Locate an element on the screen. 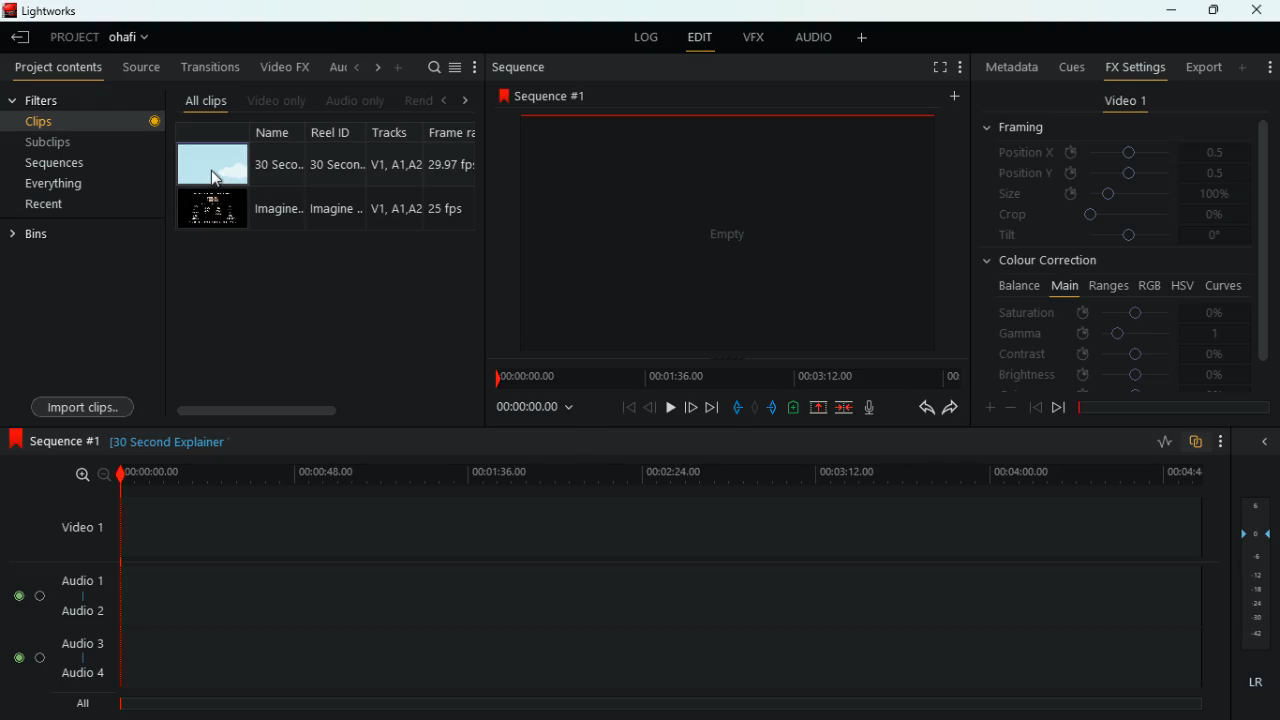 The image size is (1280, 720). ranges is located at coordinates (1106, 286).